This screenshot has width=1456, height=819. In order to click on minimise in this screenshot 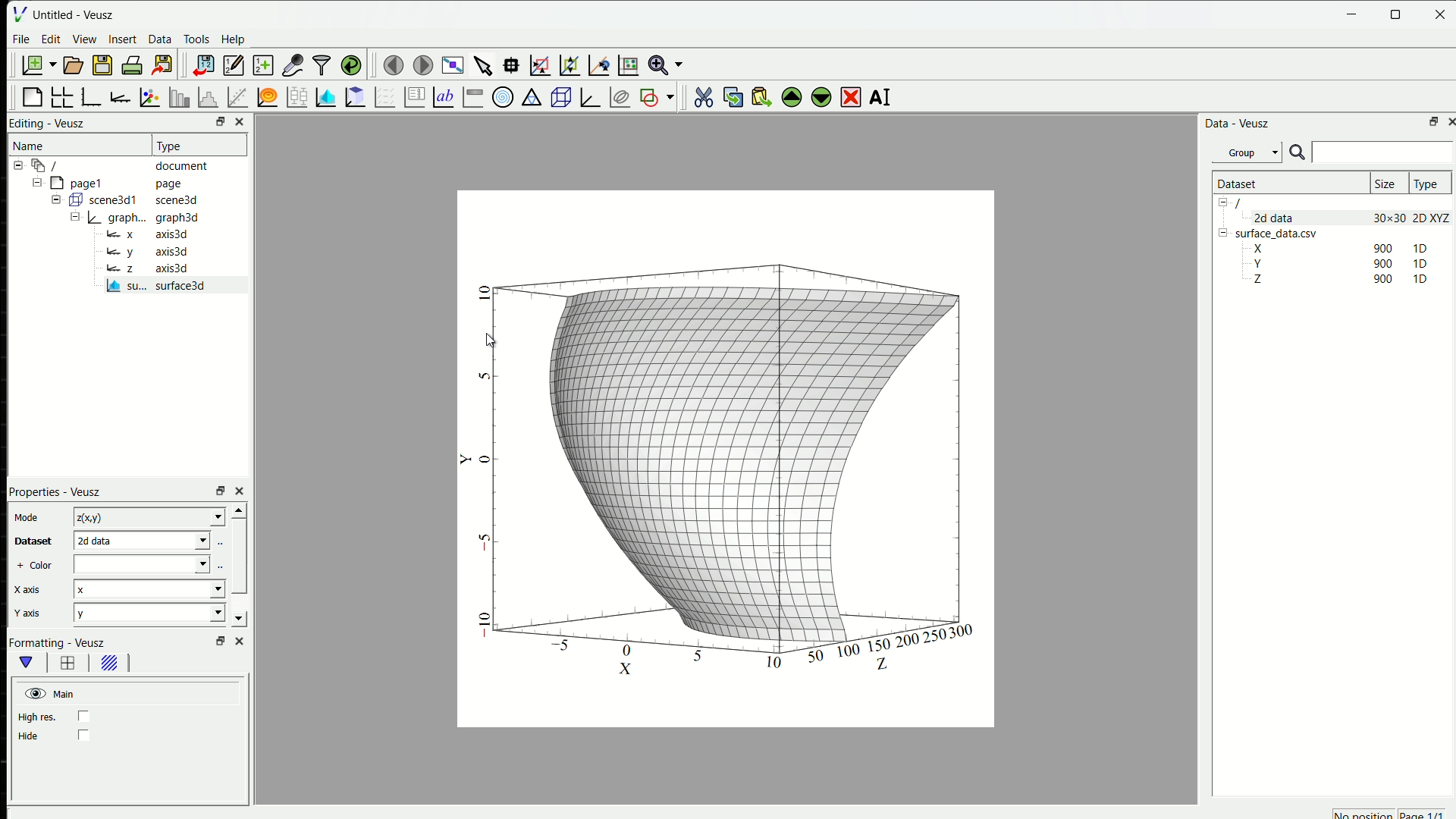, I will do `click(1353, 13)`.